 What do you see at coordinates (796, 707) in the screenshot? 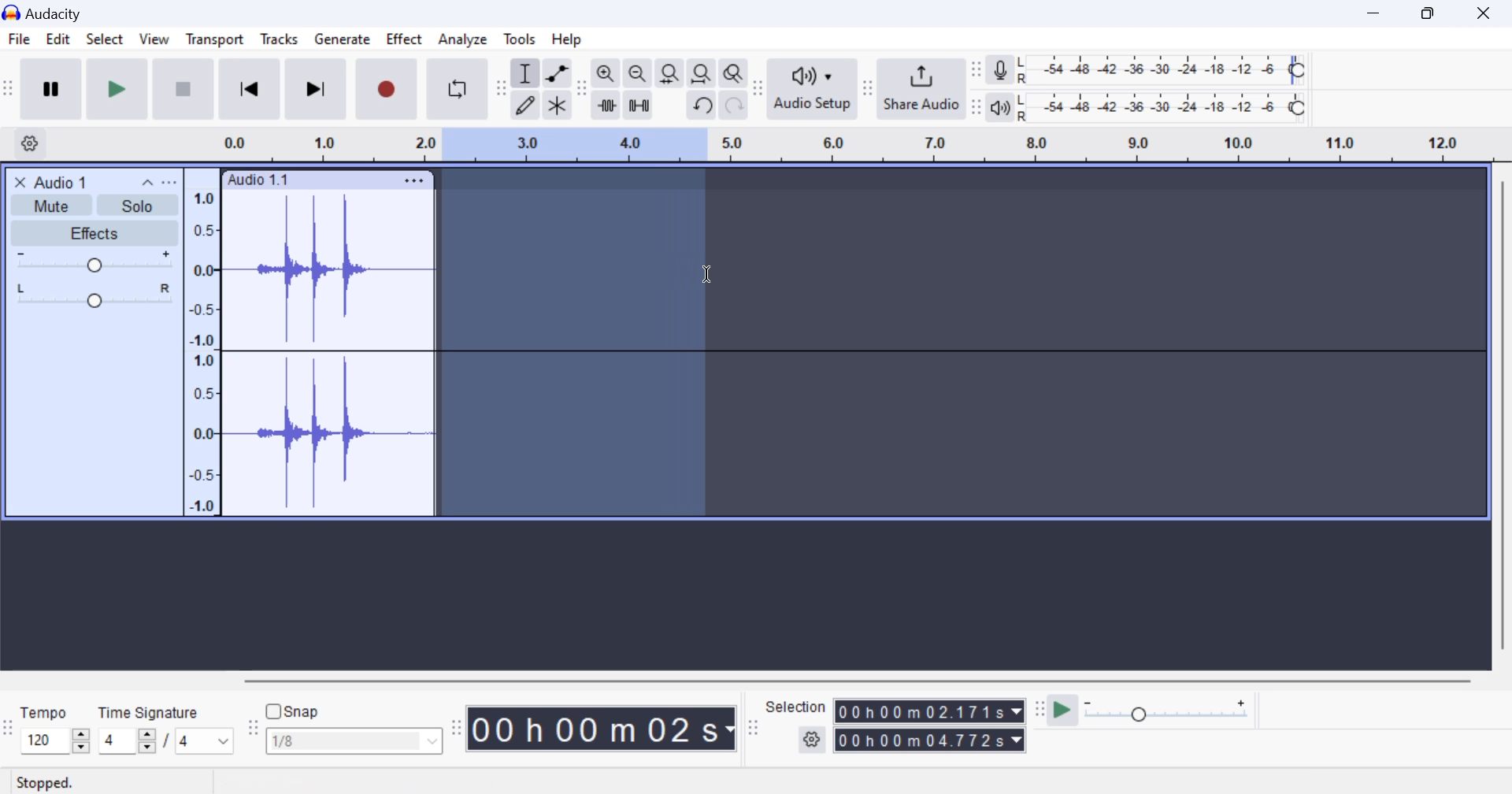
I see `Selection` at bounding box center [796, 707].